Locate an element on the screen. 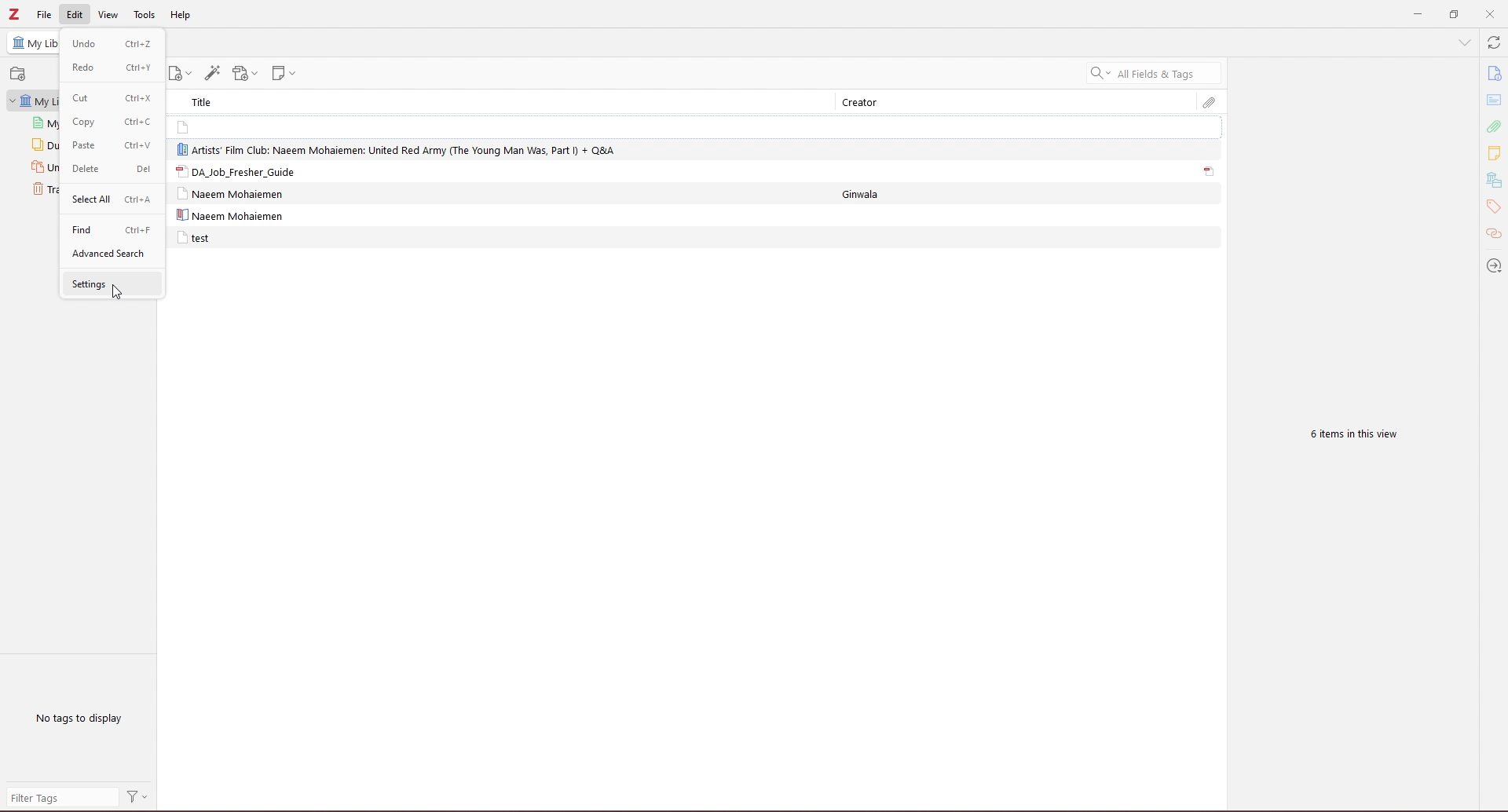 The height and width of the screenshot is (812, 1508). paste is located at coordinates (114, 145).